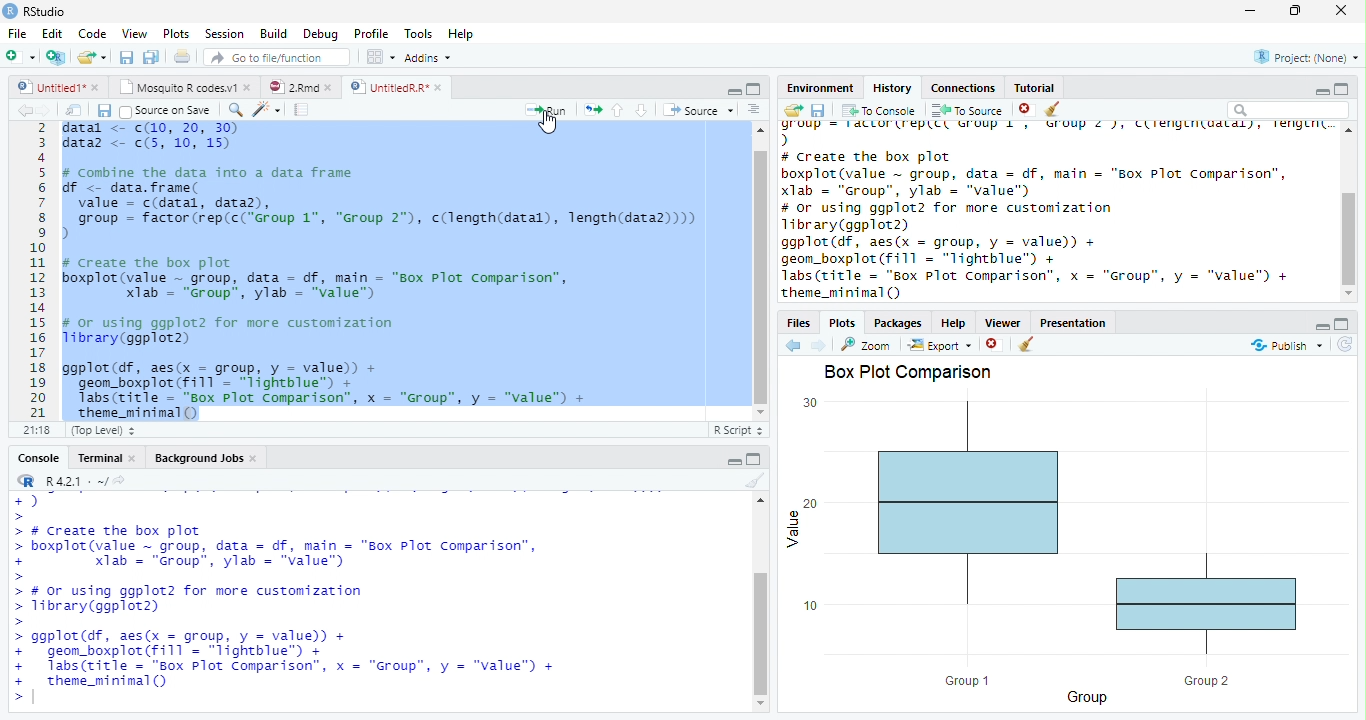  What do you see at coordinates (617, 110) in the screenshot?
I see `Go to previous section/chunk` at bounding box center [617, 110].